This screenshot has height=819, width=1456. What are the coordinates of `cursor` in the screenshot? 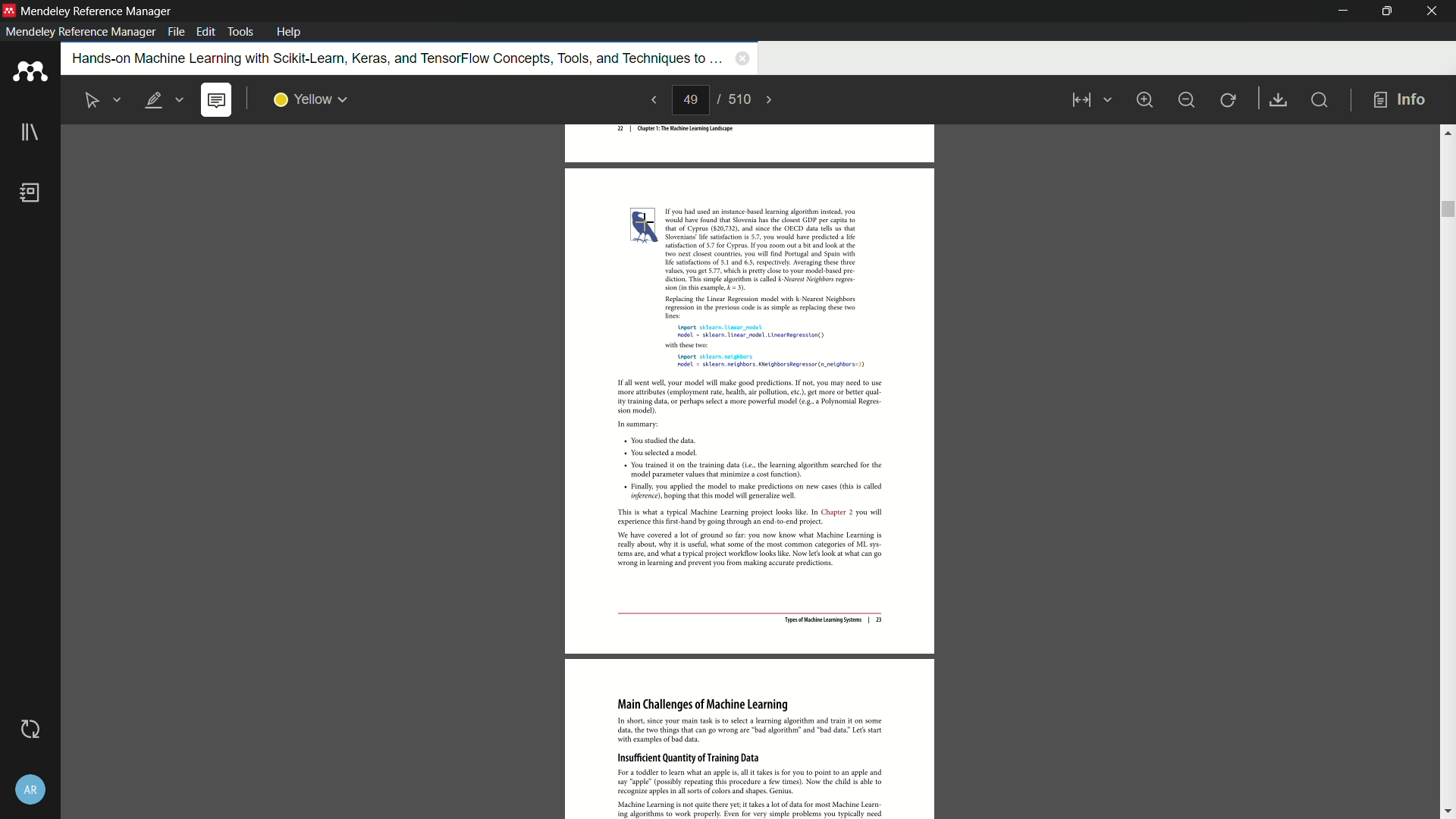 It's located at (645, 222).